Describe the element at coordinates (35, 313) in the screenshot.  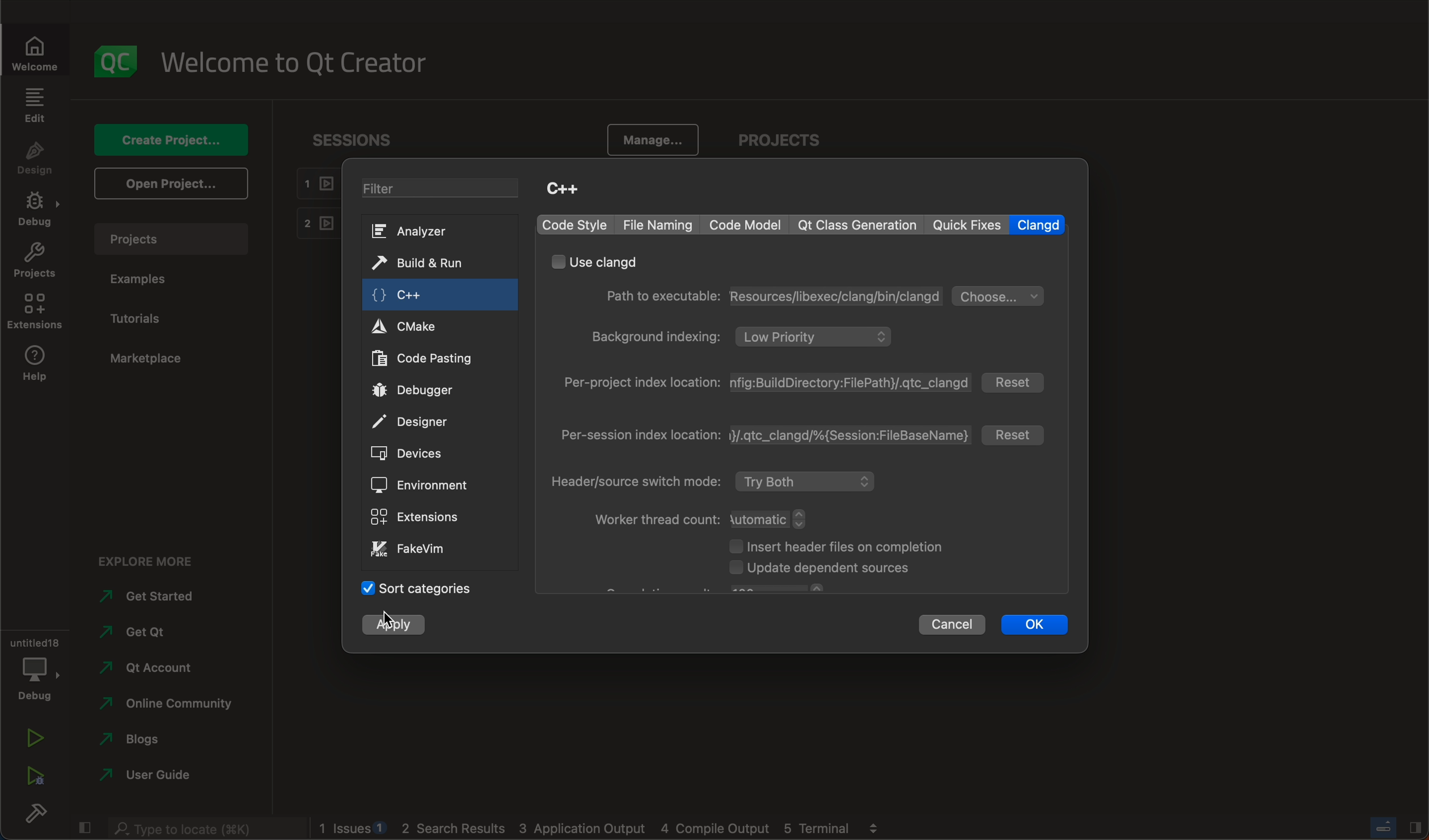
I see `extensions` at that location.